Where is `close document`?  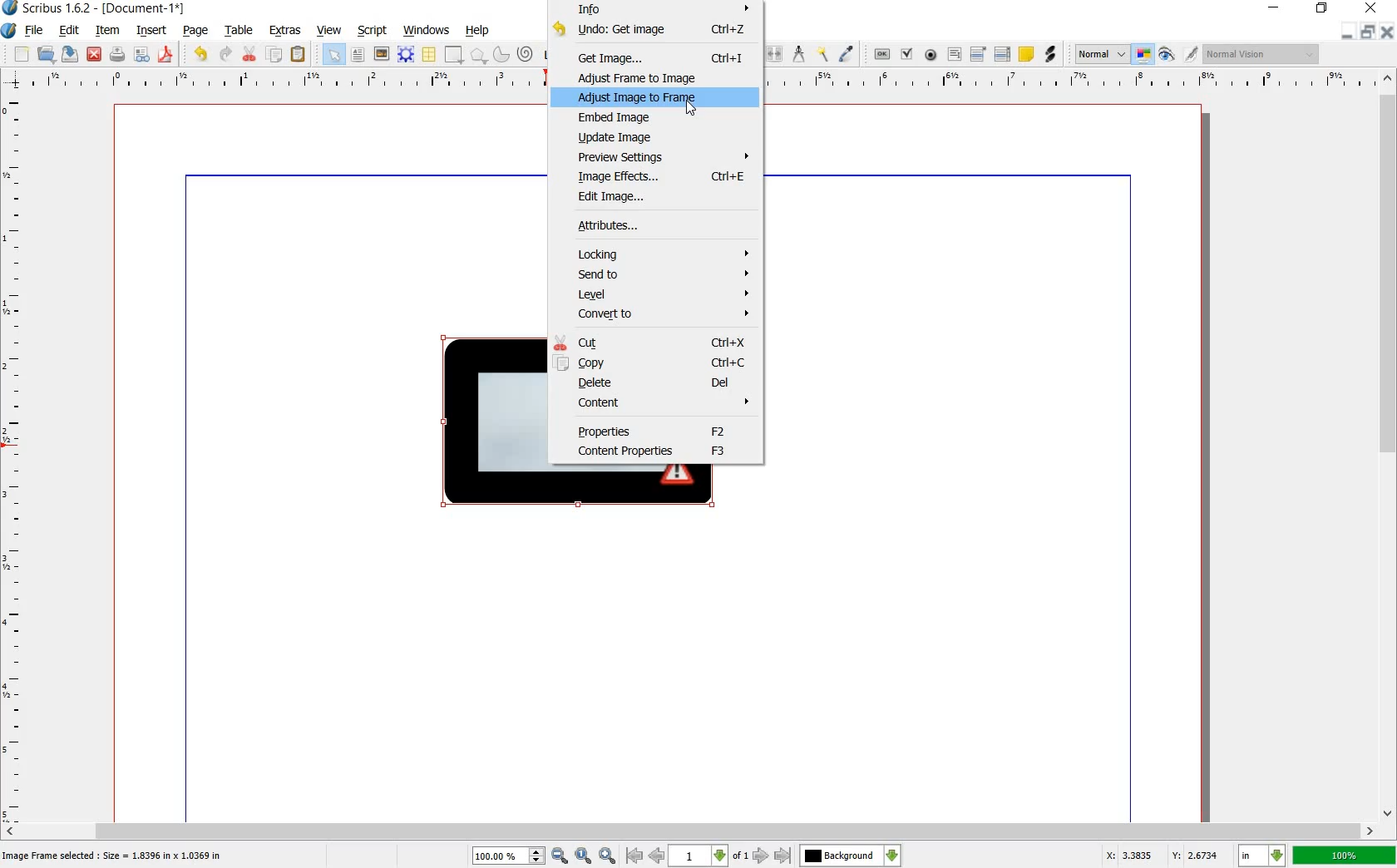
close document is located at coordinates (1389, 30).